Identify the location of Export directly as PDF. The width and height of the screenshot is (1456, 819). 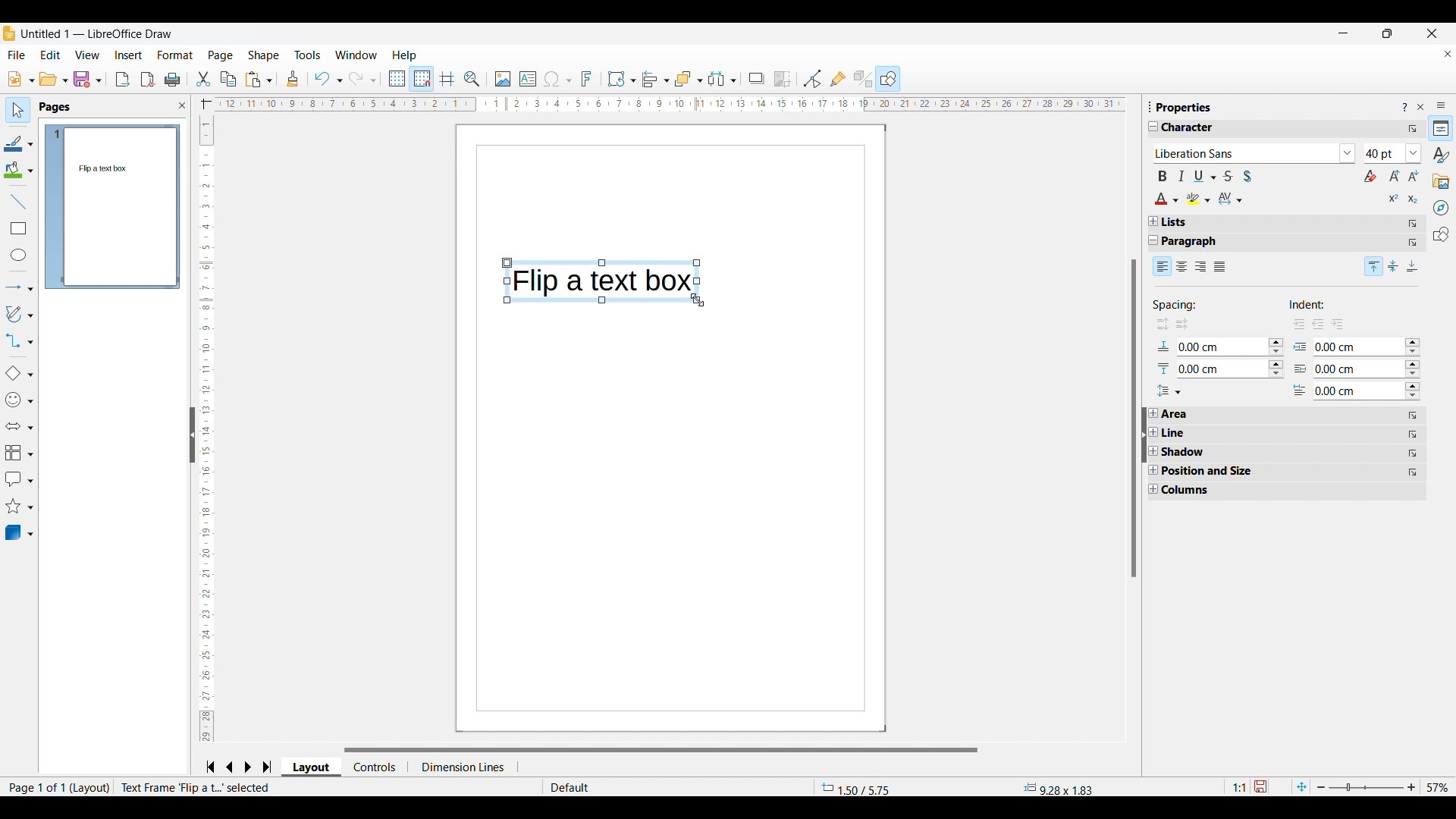
(148, 80).